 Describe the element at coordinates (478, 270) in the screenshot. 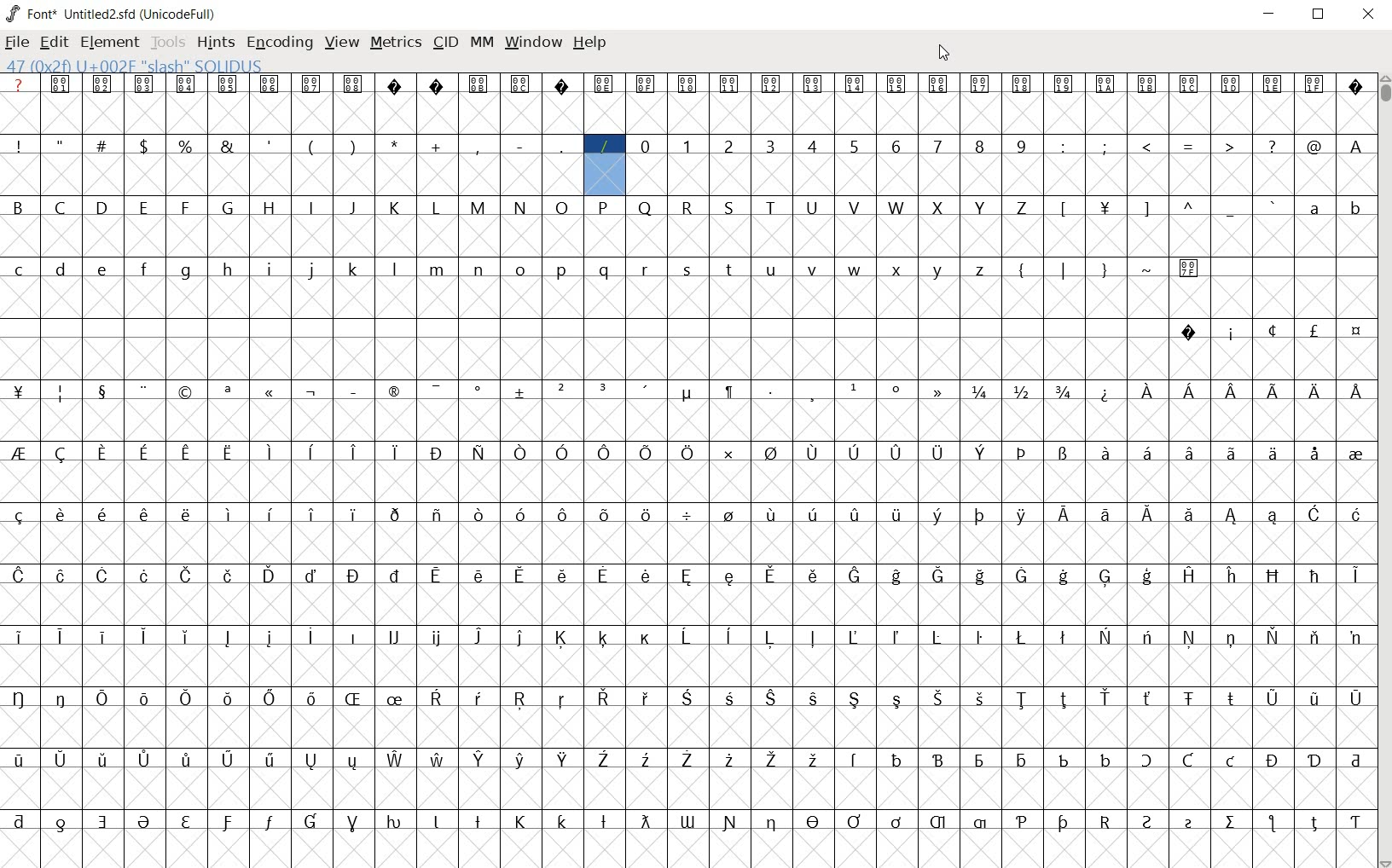

I see `glyph` at that location.